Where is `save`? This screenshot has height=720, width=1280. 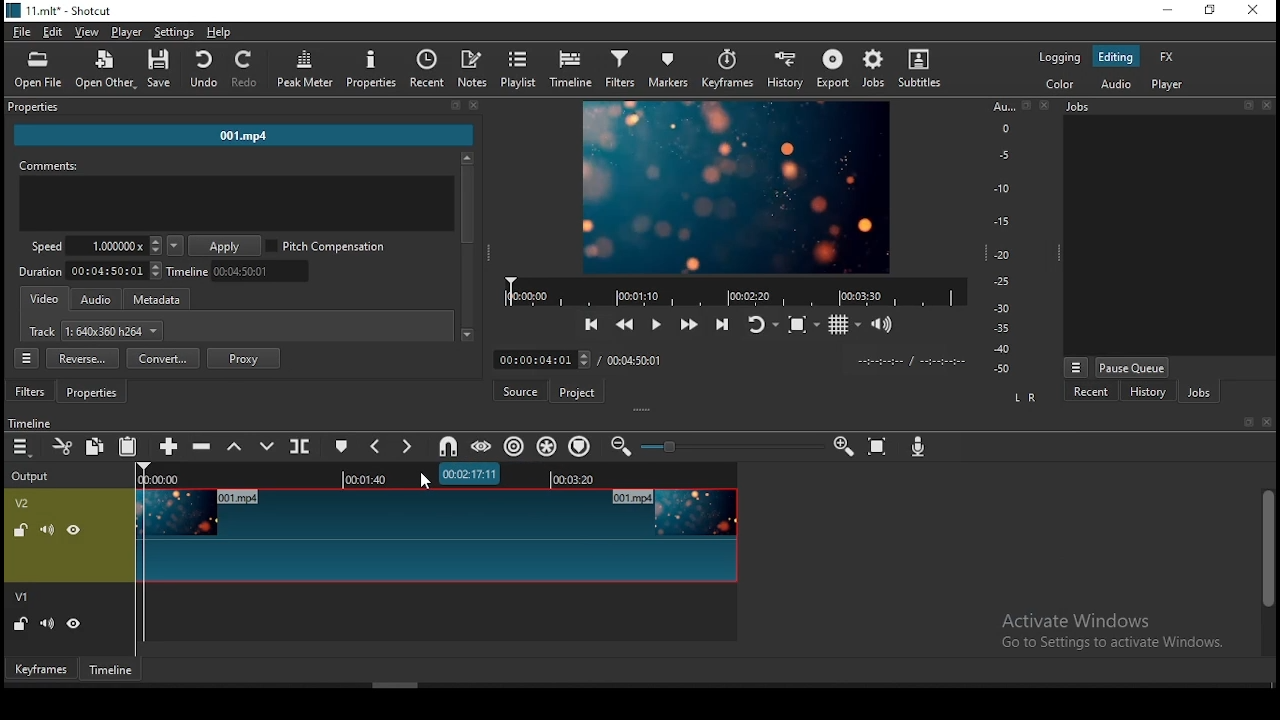 save is located at coordinates (159, 68).